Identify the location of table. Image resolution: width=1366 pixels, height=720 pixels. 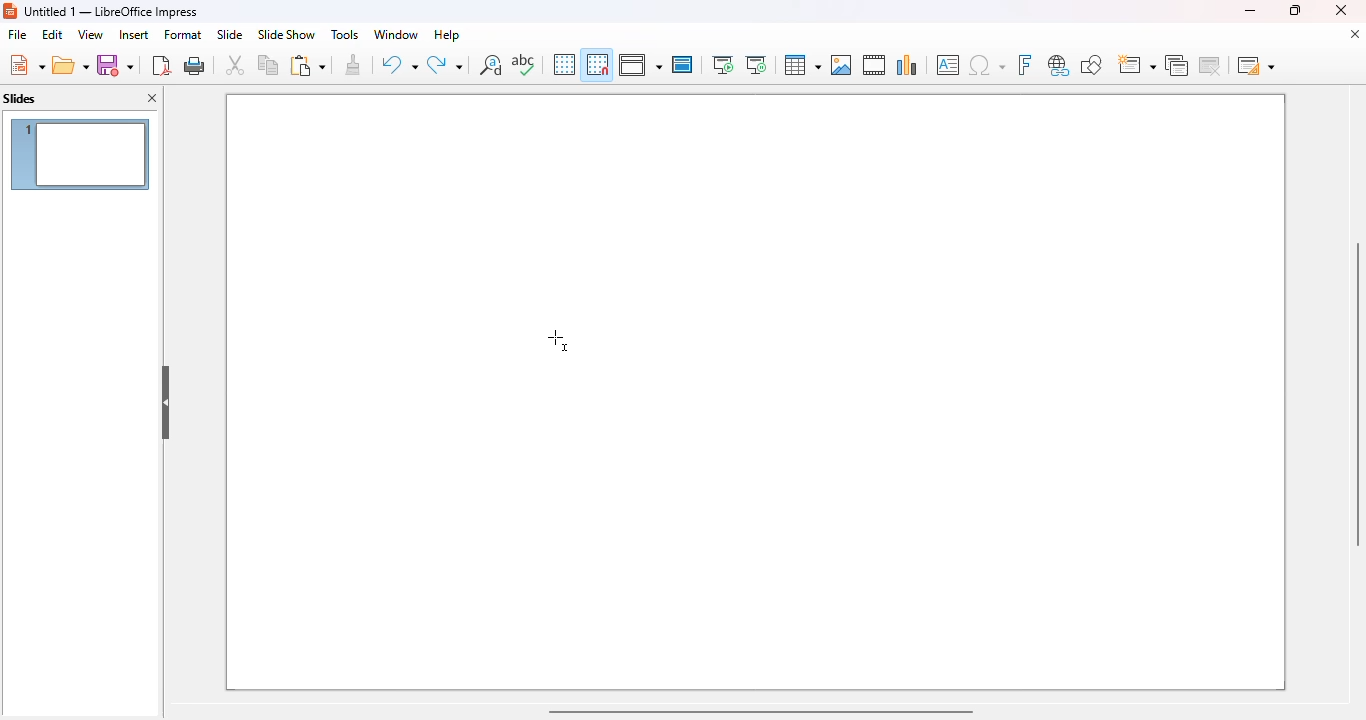
(801, 65).